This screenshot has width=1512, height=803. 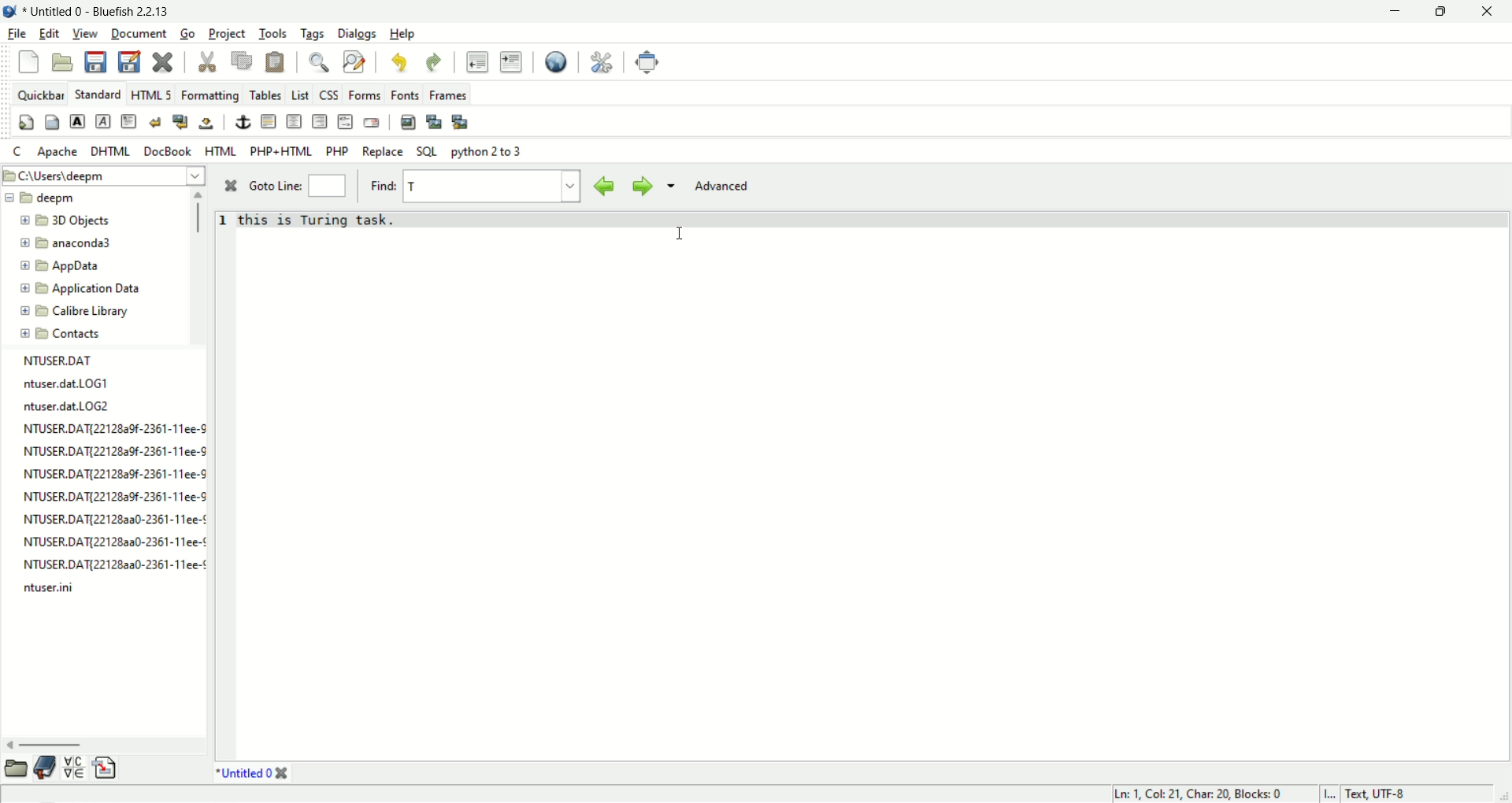 I want to click on find history, so click(x=573, y=186).